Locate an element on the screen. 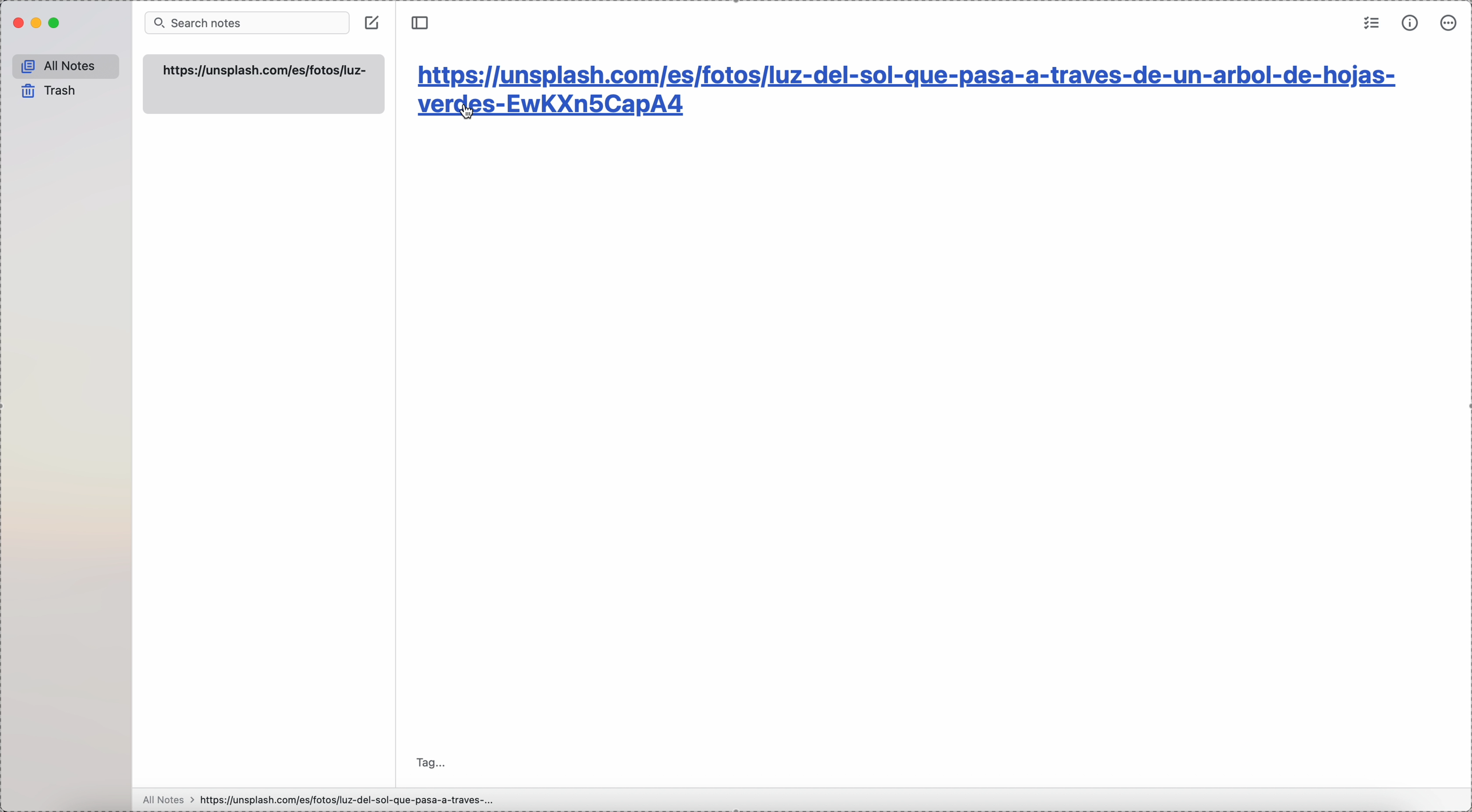  search bar is located at coordinates (246, 24).